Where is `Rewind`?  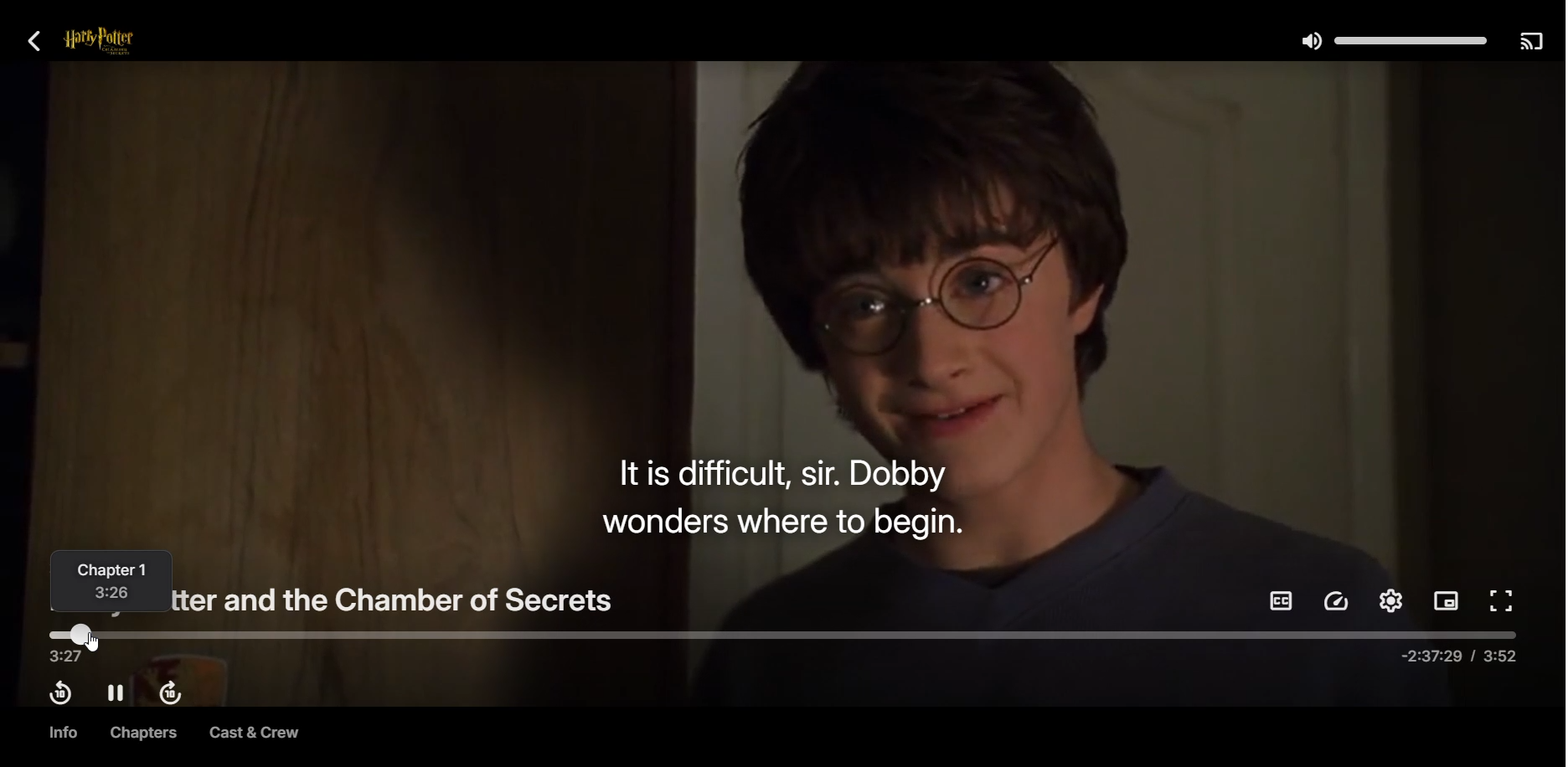 Rewind is located at coordinates (59, 693).